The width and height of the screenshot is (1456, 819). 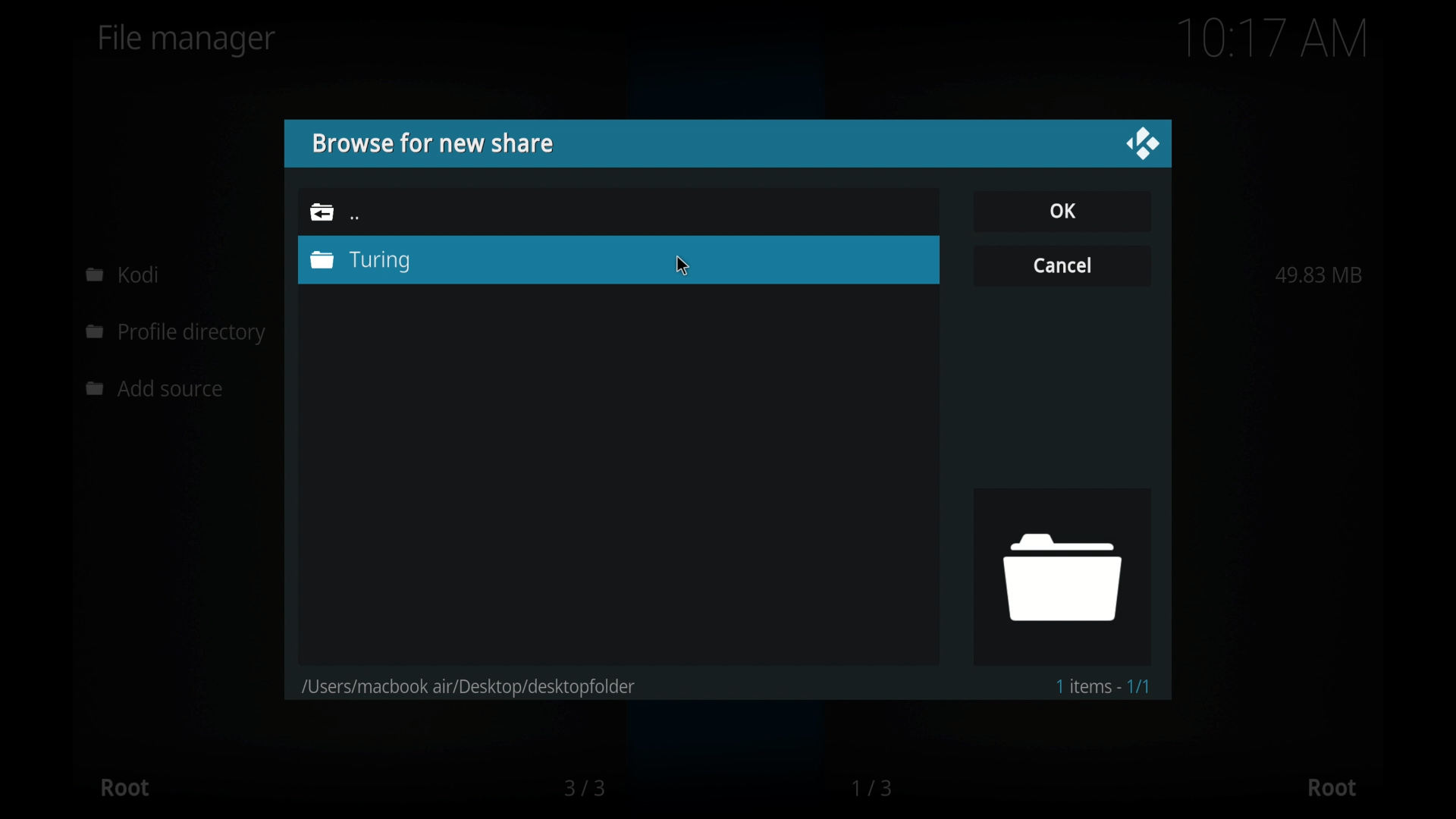 I want to click on 49.83 MB, so click(x=1319, y=275).